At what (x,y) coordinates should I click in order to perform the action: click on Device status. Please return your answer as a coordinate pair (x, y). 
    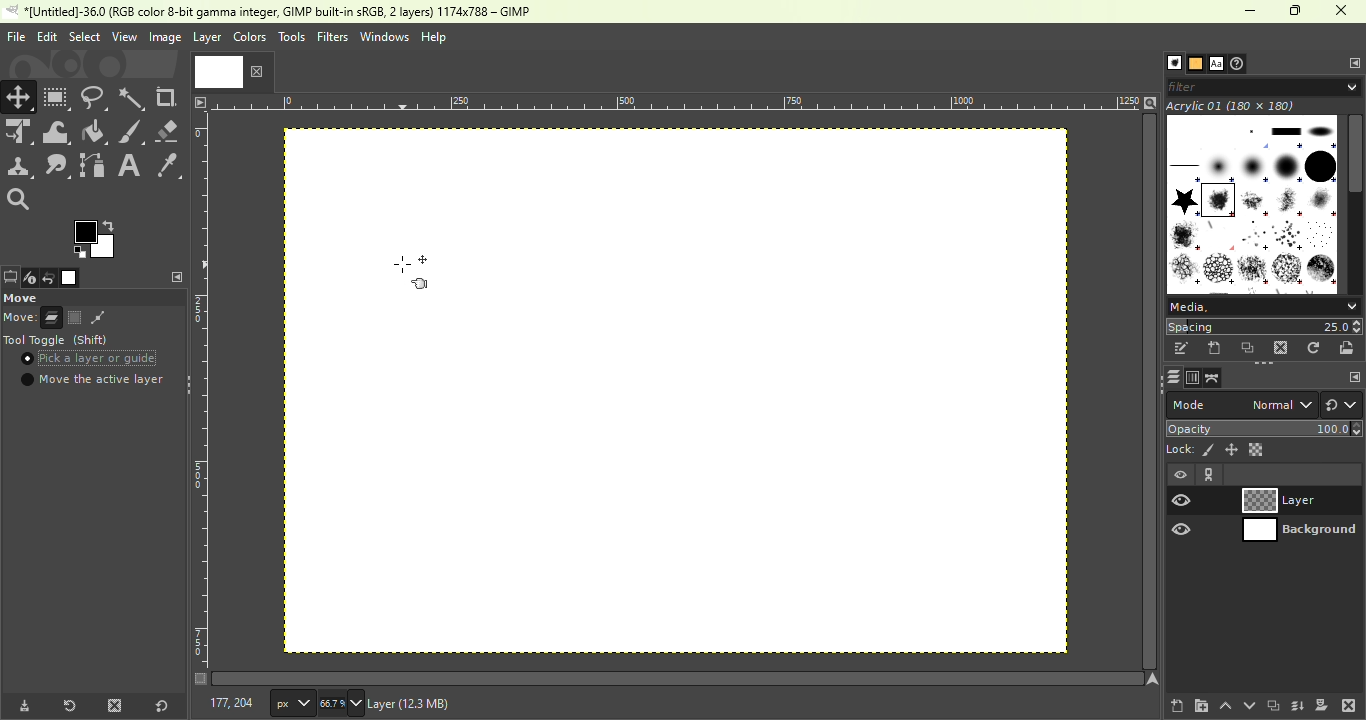
    Looking at the image, I should click on (28, 279).